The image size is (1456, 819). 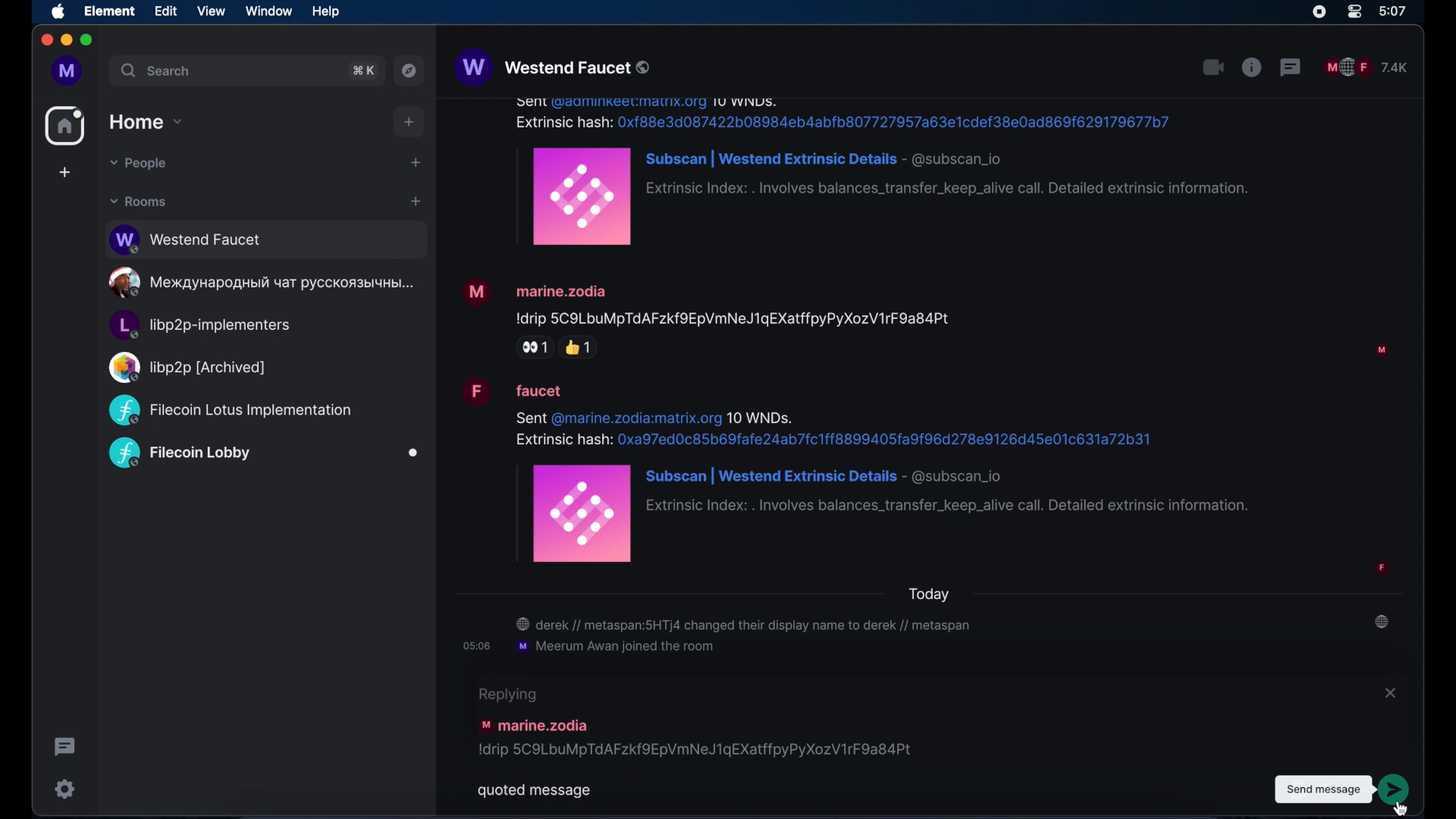 What do you see at coordinates (928, 505) in the screenshot?
I see `message` at bounding box center [928, 505].